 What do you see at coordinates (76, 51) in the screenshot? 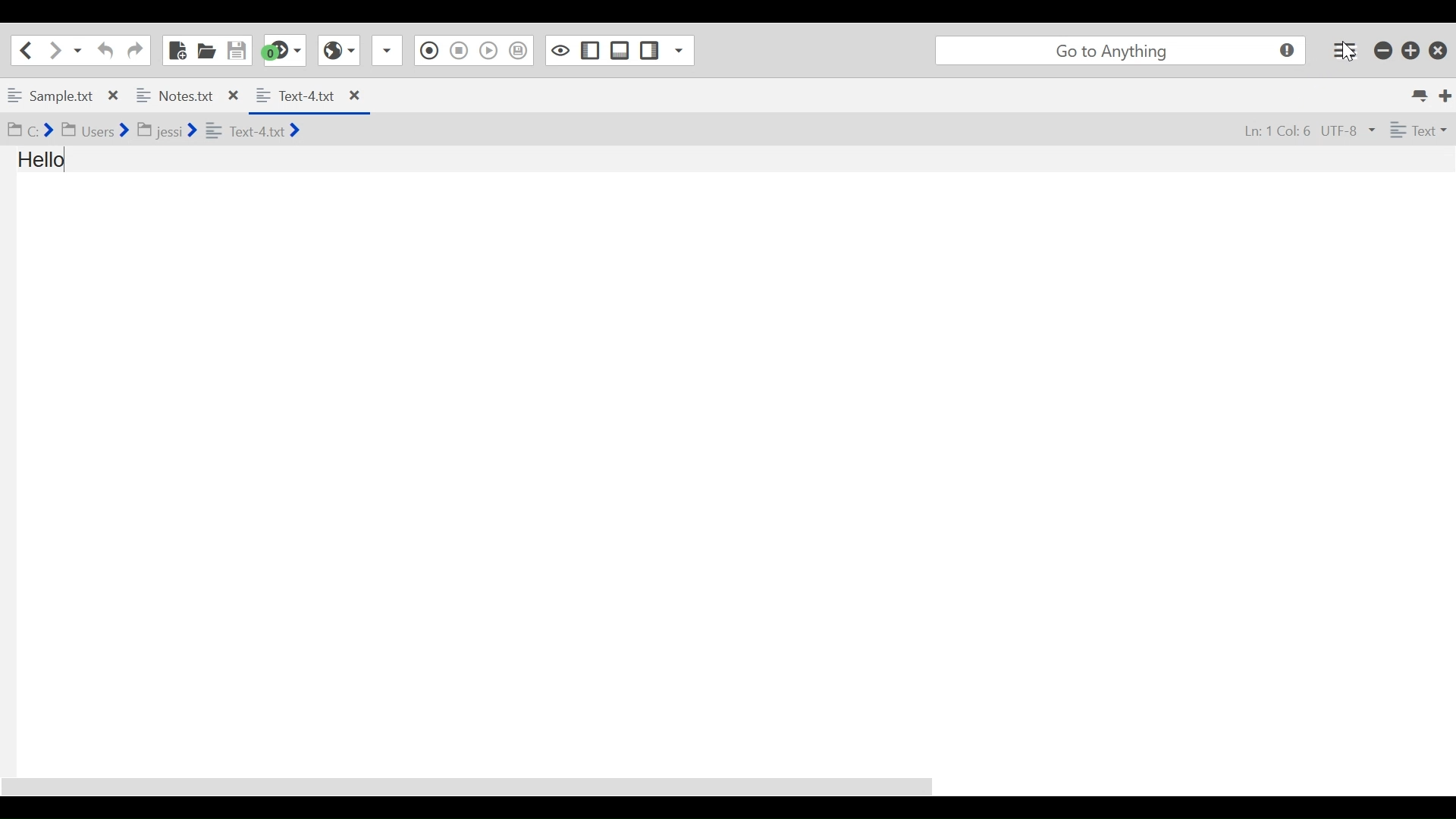
I see `Recent location` at bounding box center [76, 51].